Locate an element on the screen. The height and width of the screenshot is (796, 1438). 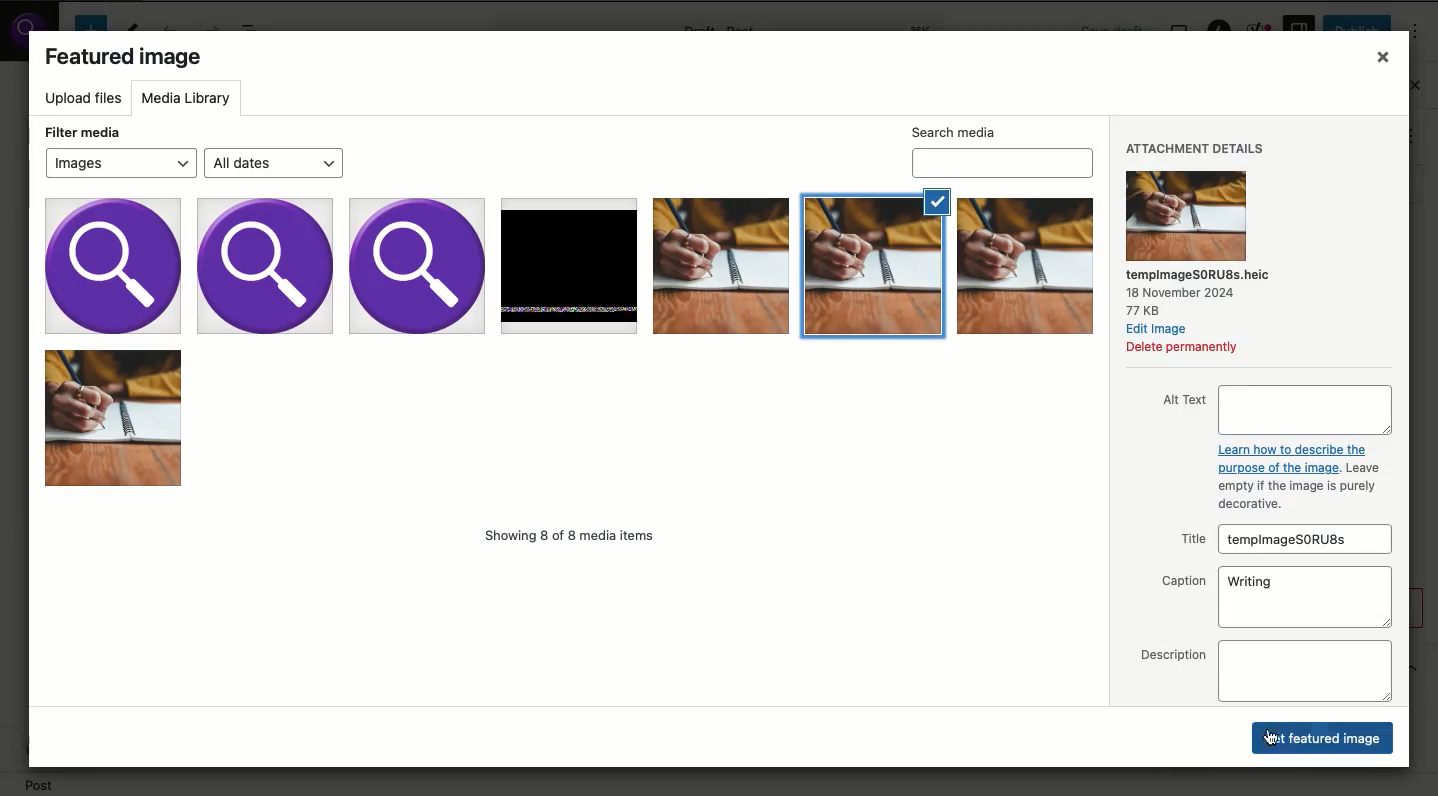
selected Image is located at coordinates (874, 263).